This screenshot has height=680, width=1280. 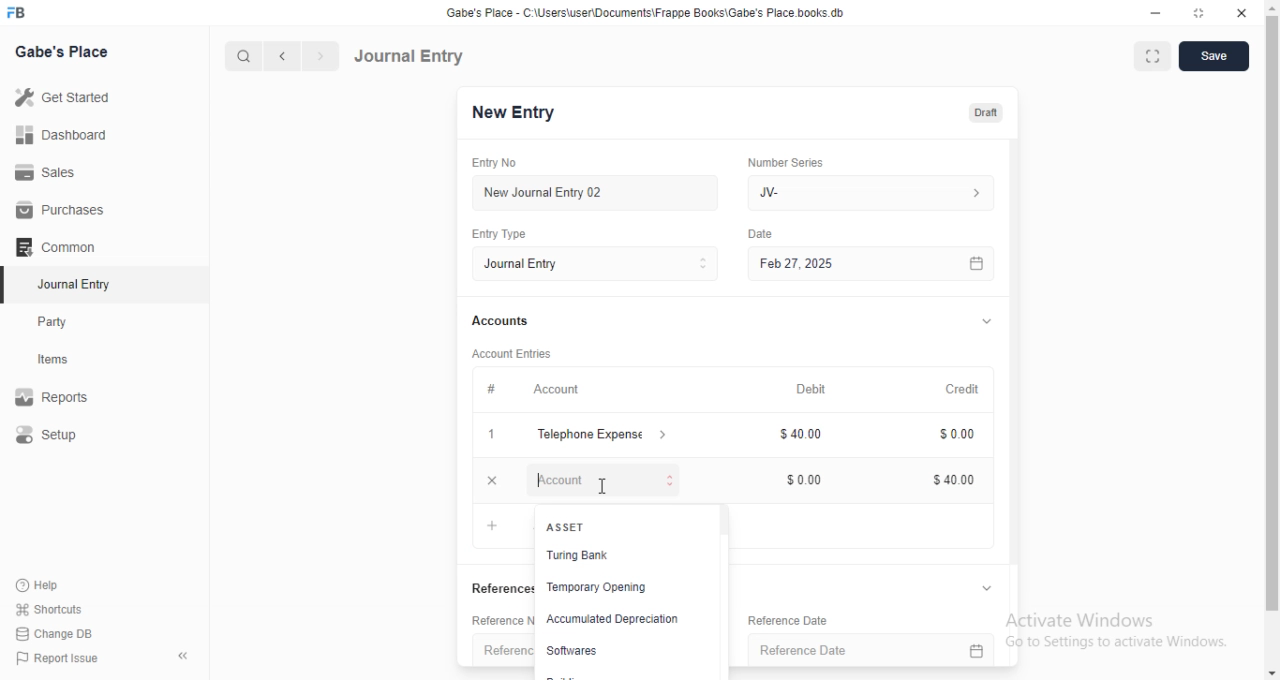 What do you see at coordinates (785, 619) in the screenshot?
I see `‘Reference Date` at bounding box center [785, 619].